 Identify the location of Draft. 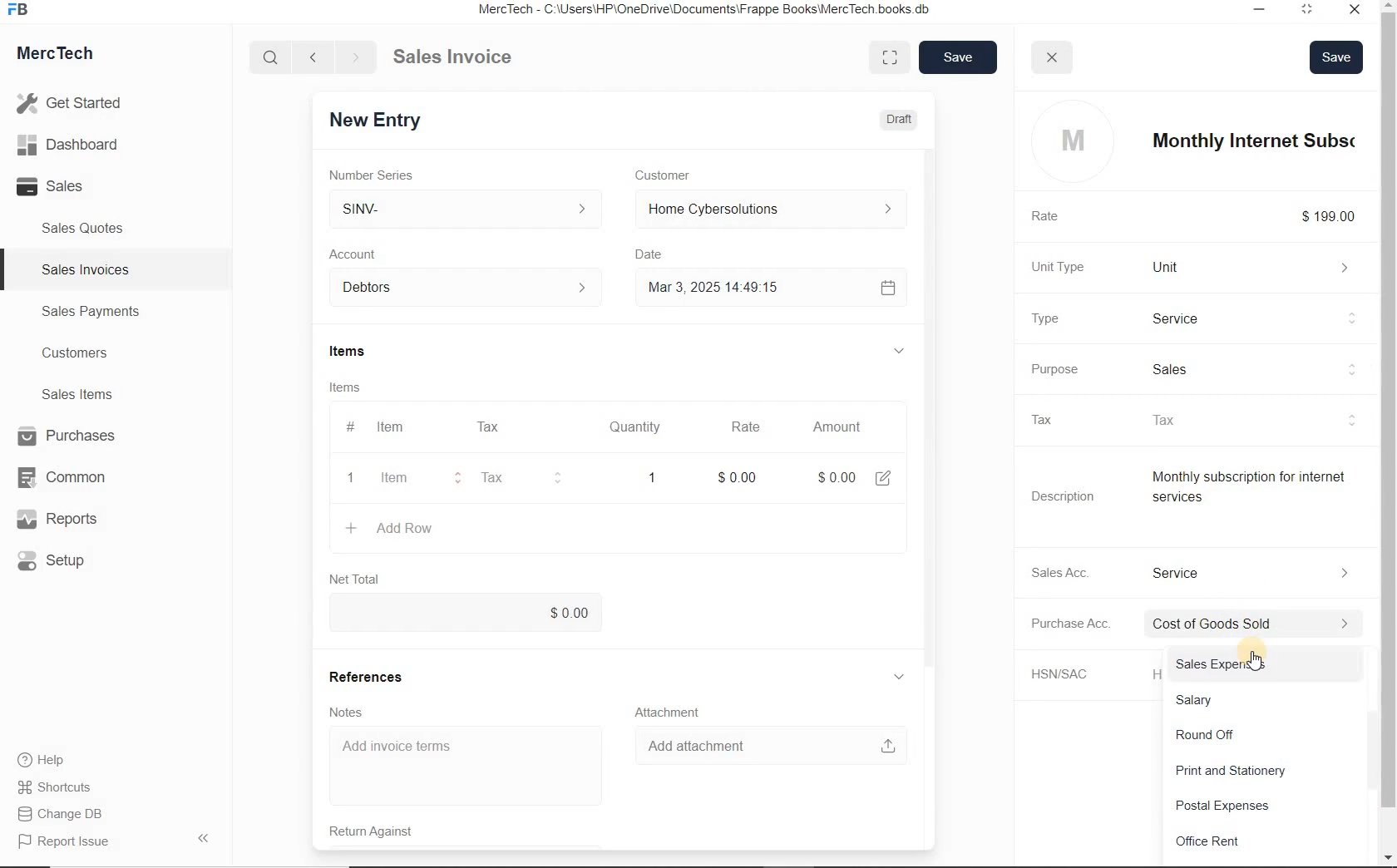
(900, 118).